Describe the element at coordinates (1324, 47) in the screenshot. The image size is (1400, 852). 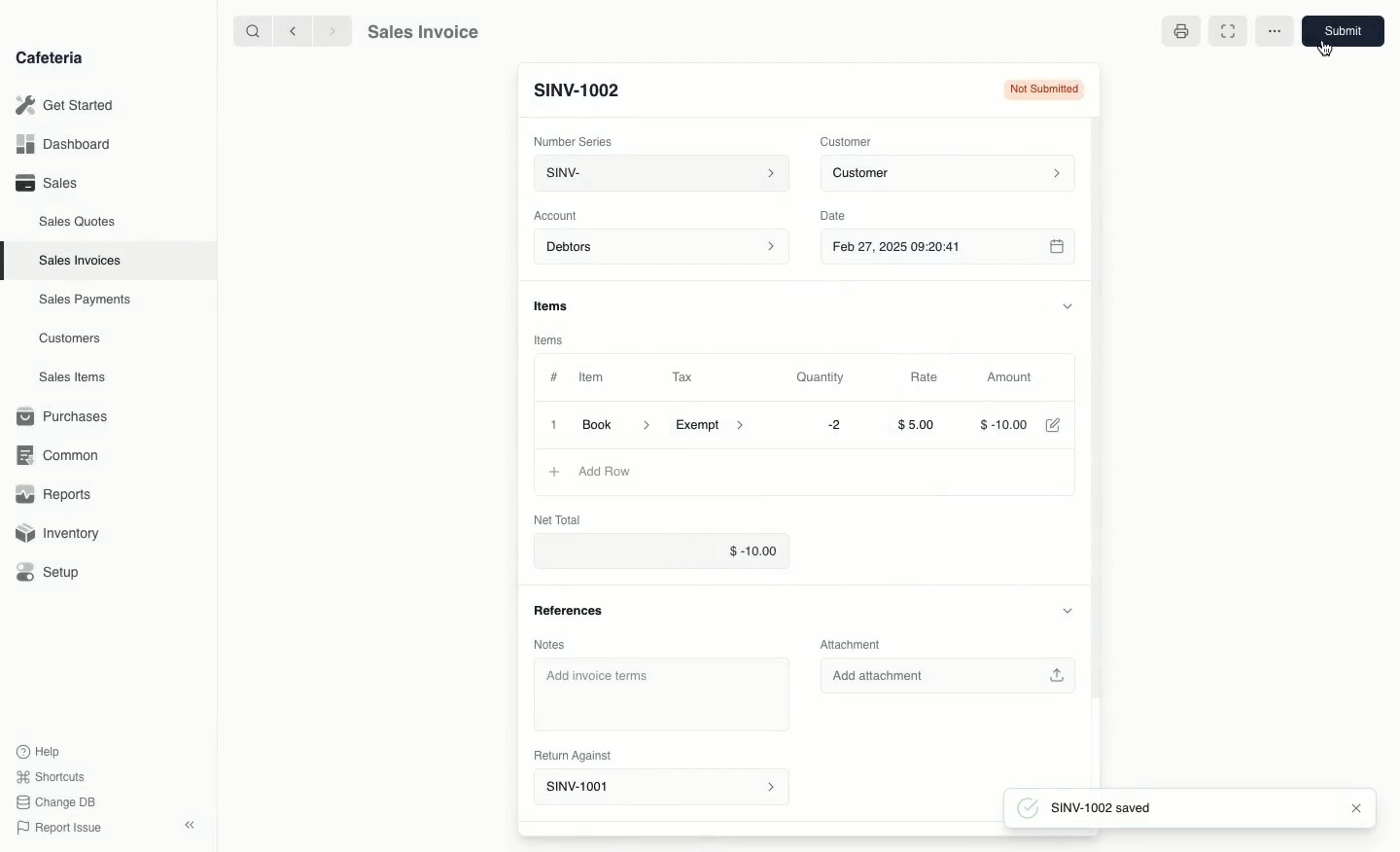
I see `cursor` at that location.